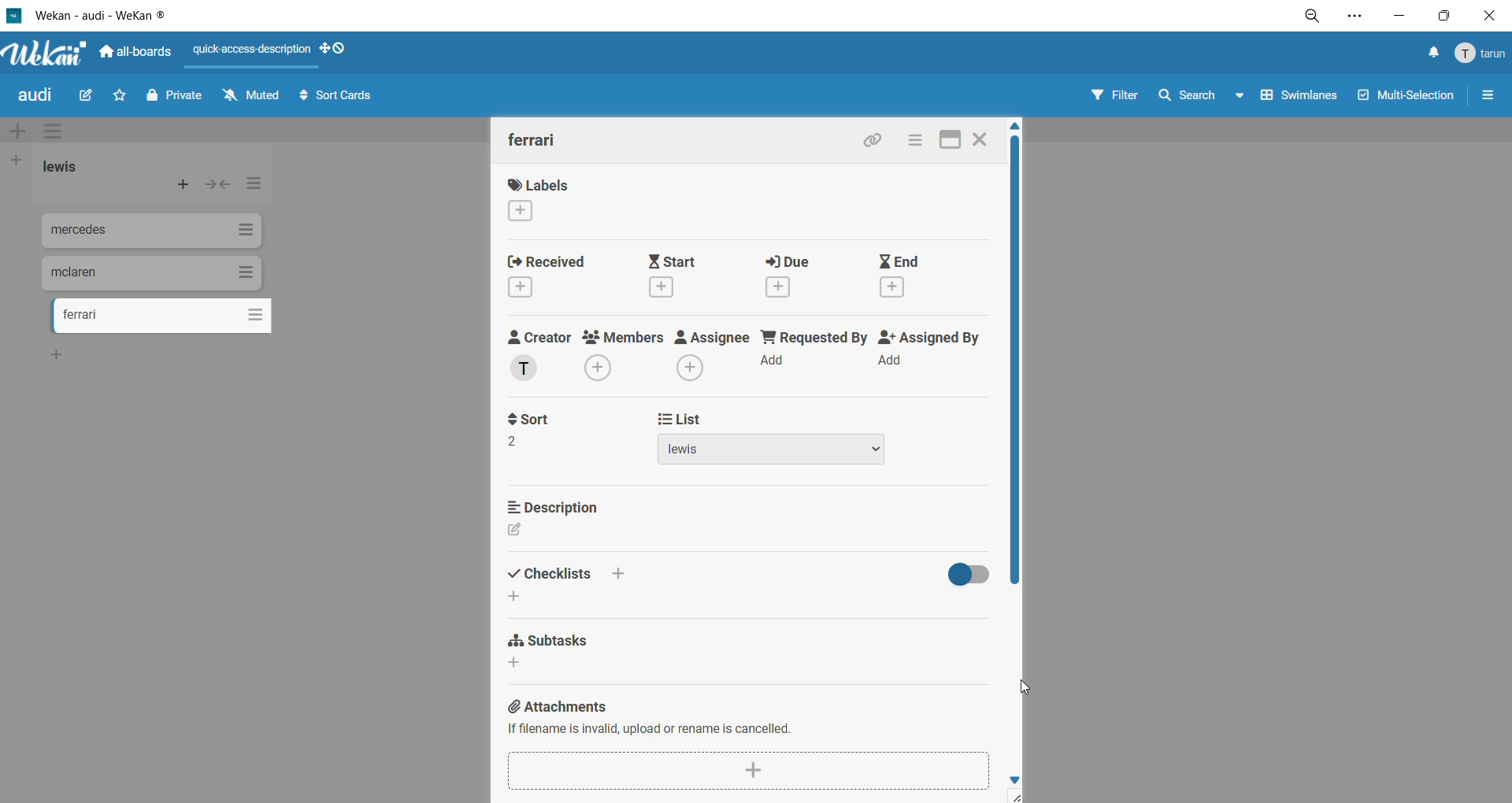 The image size is (1512, 803). I want to click on checklists, so click(567, 572).